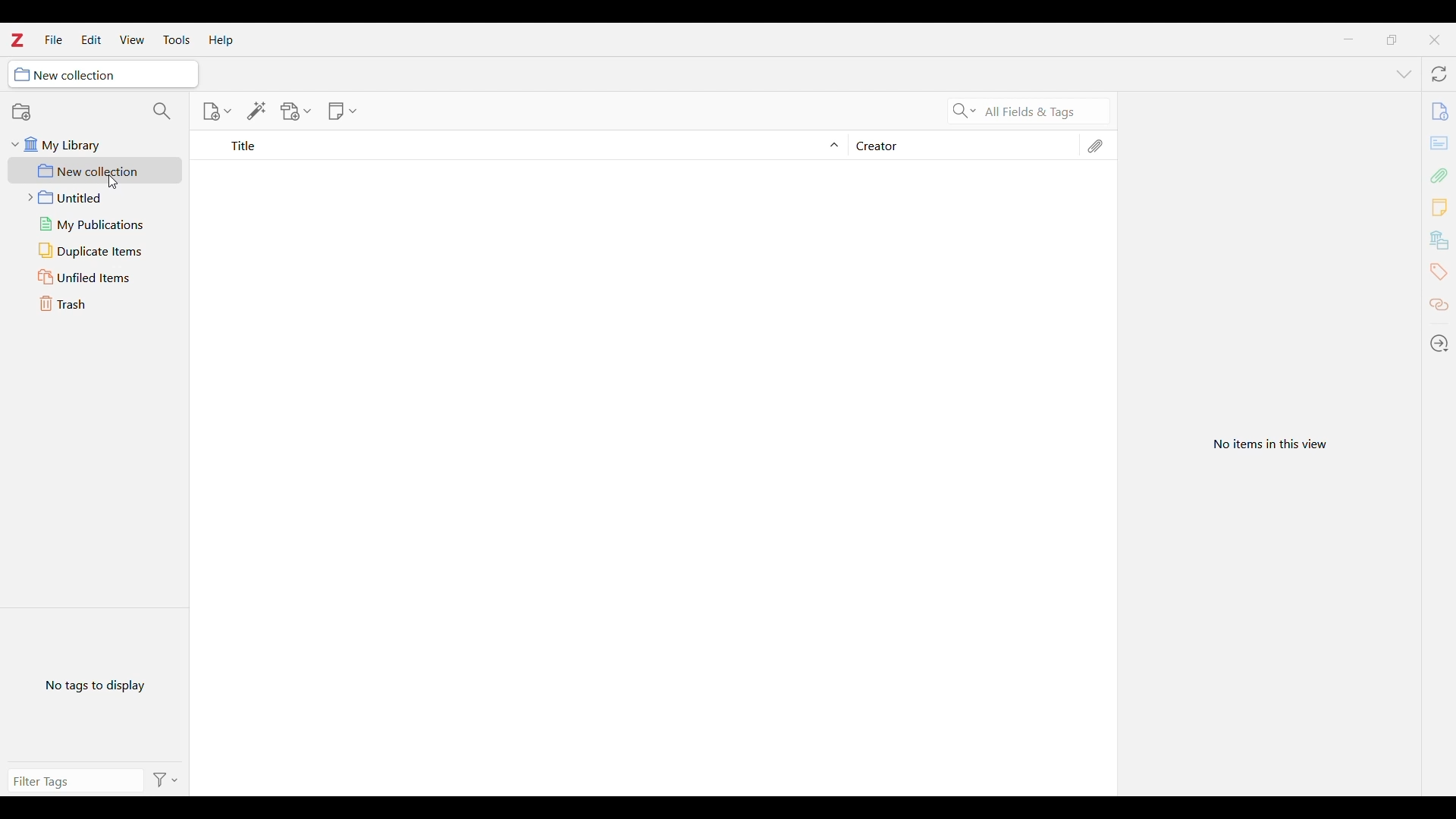 Image resolution: width=1456 pixels, height=819 pixels. I want to click on File menu, so click(54, 39).